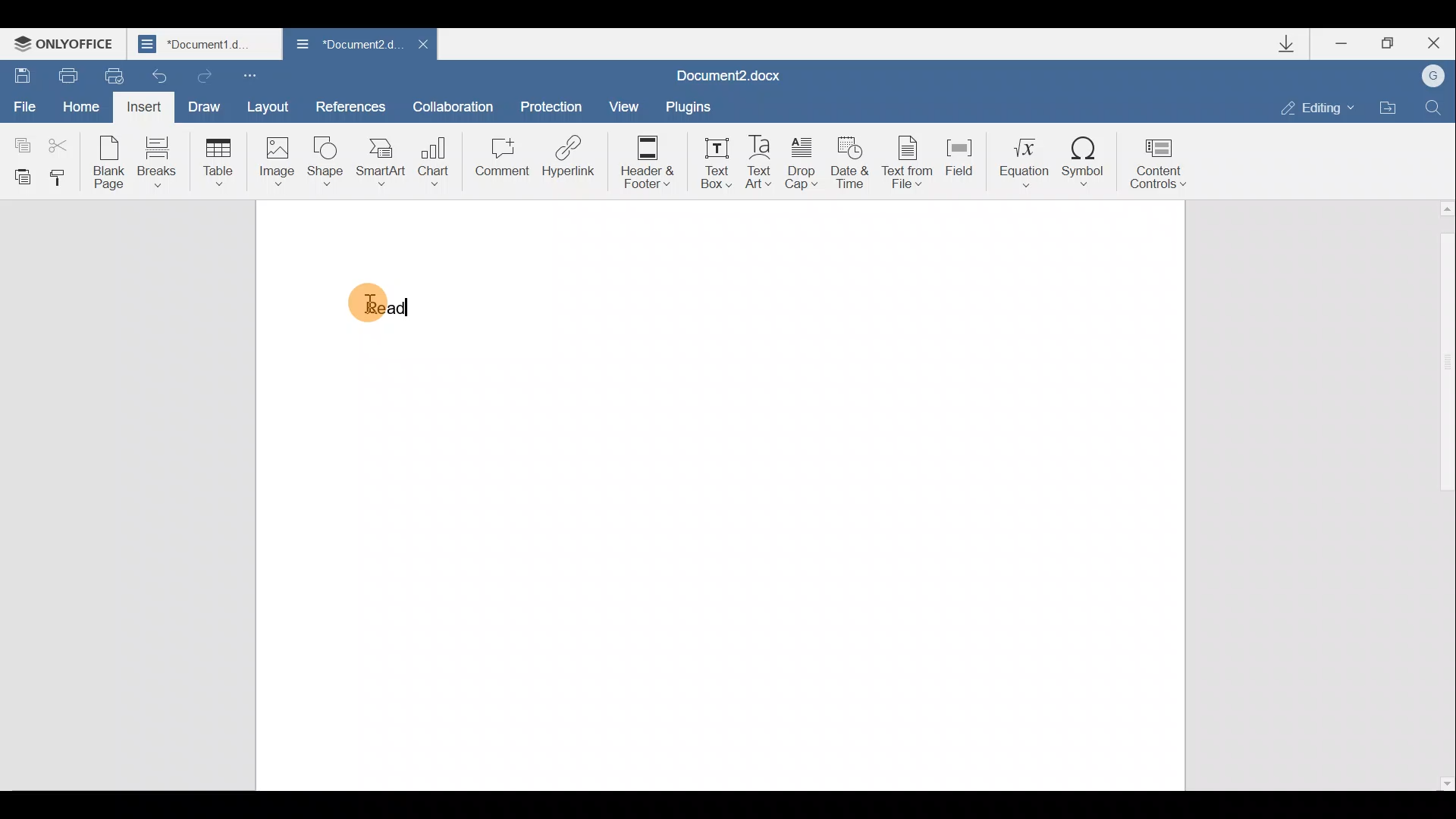  Describe the element at coordinates (109, 162) in the screenshot. I see ` Blank page` at that location.